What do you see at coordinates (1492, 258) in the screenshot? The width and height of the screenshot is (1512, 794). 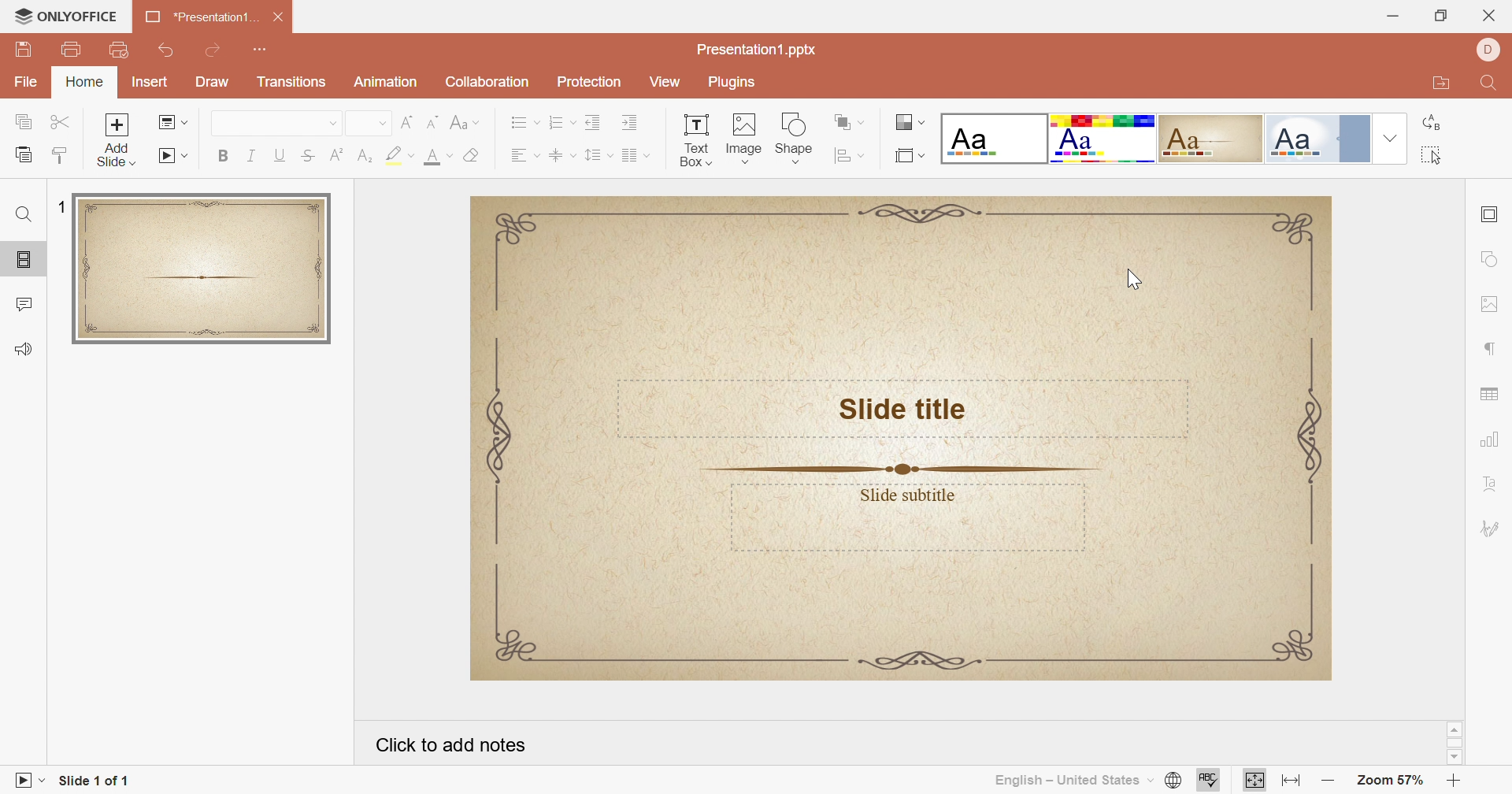 I see `Shape settings` at bounding box center [1492, 258].